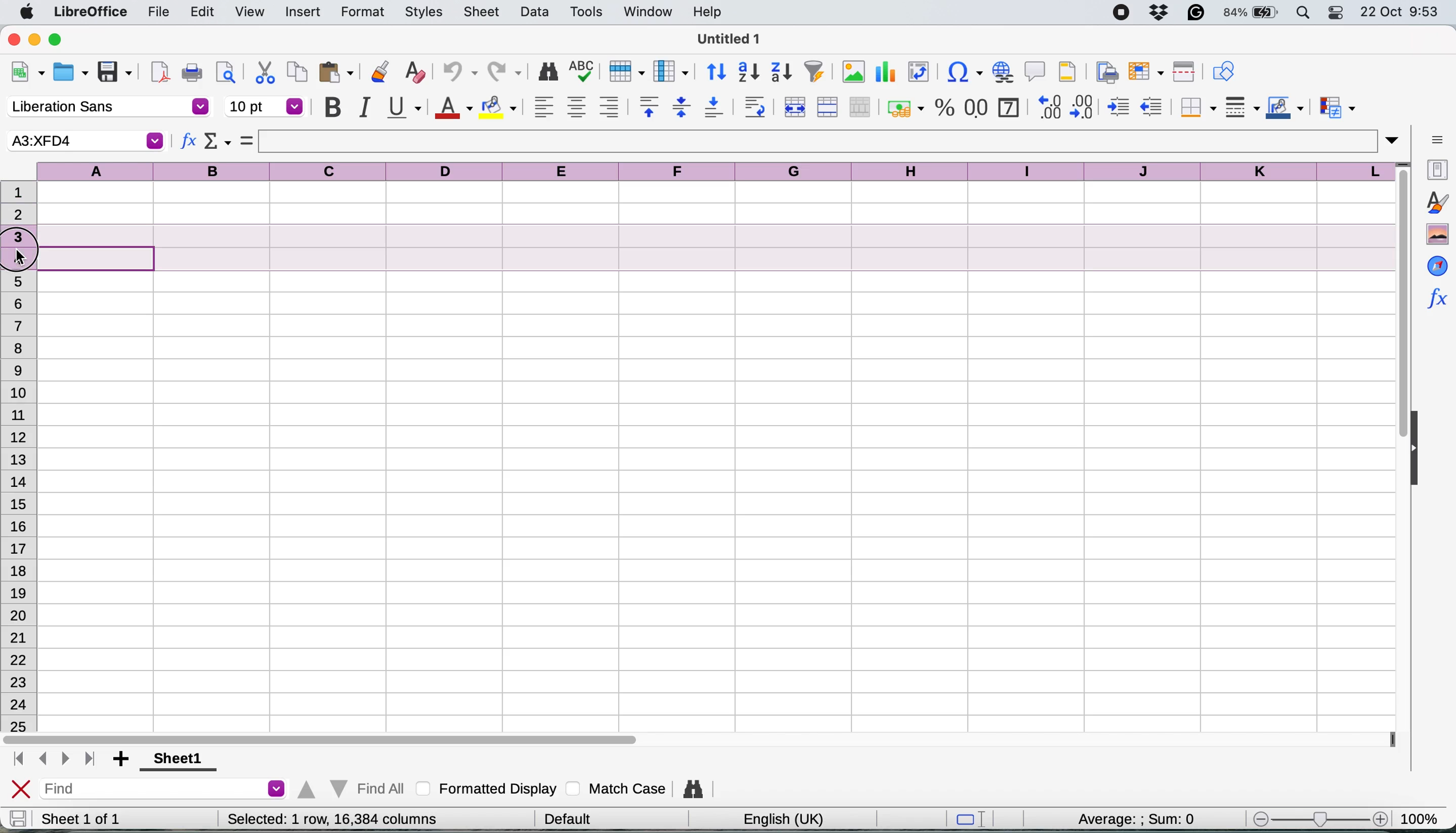 The image size is (1456, 833). What do you see at coordinates (455, 73) in the screenshot?
I see `undo` at bounding box center [455, 73].